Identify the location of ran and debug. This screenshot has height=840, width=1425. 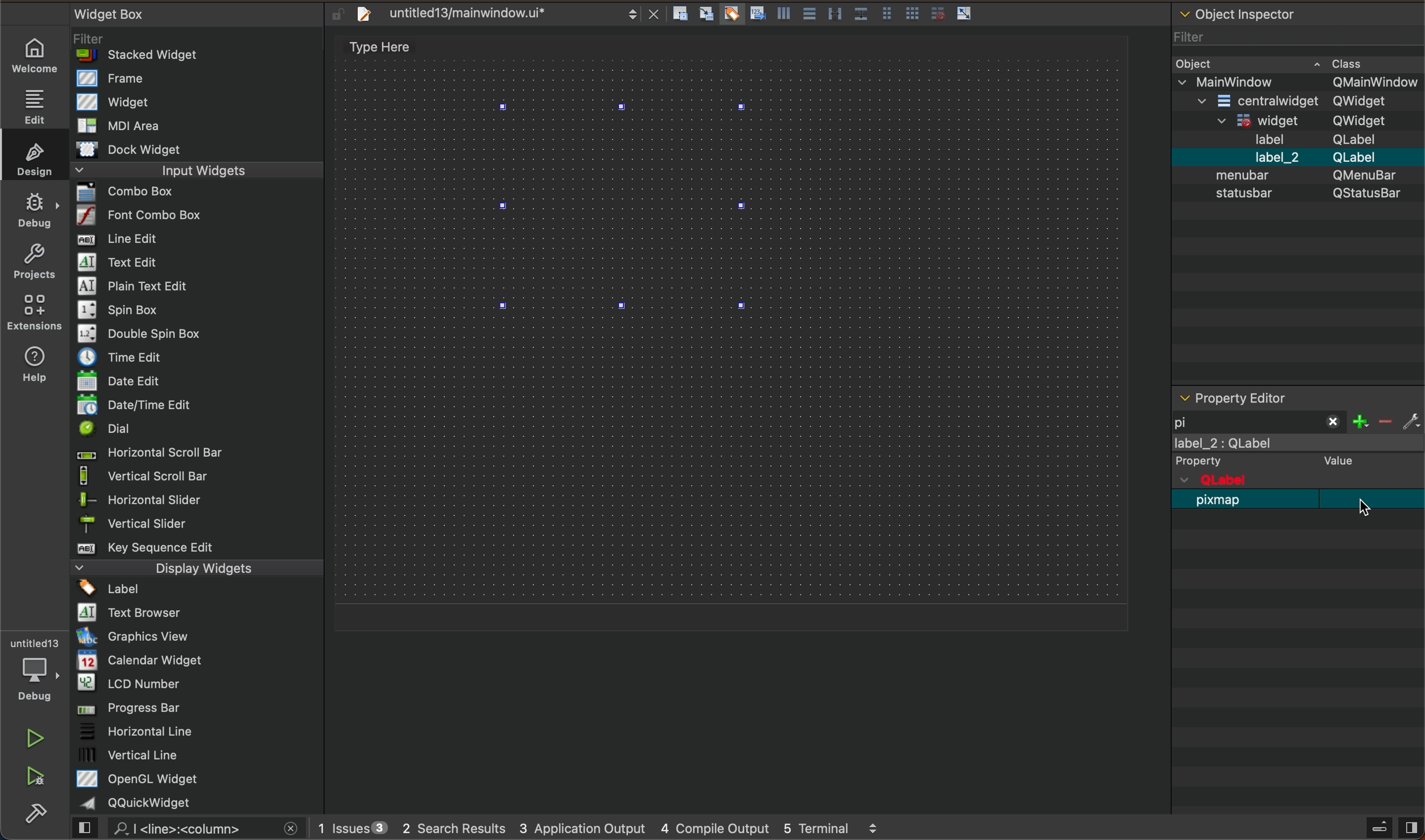
(43, 778).